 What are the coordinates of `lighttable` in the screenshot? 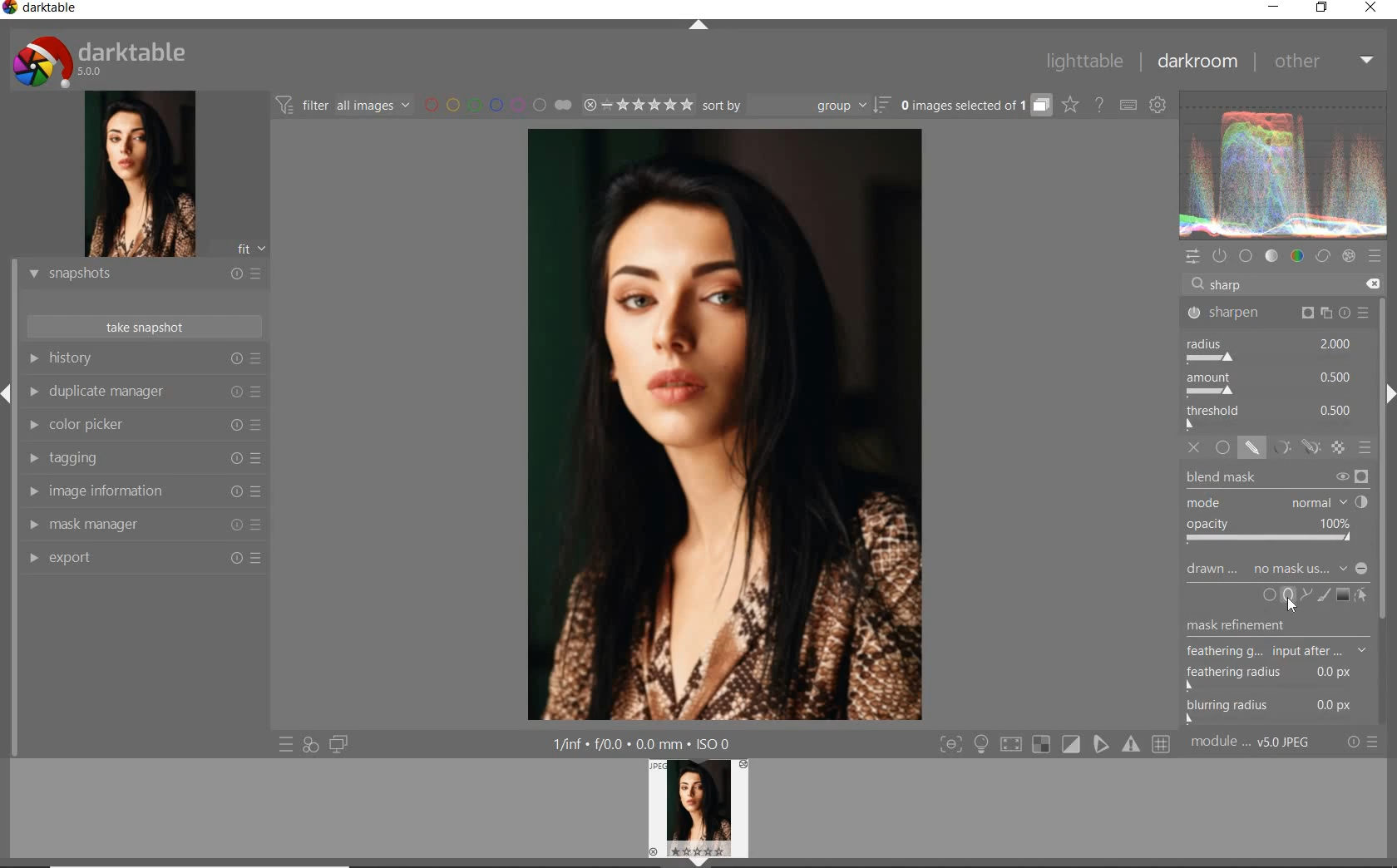 It's located at (1084, 62).